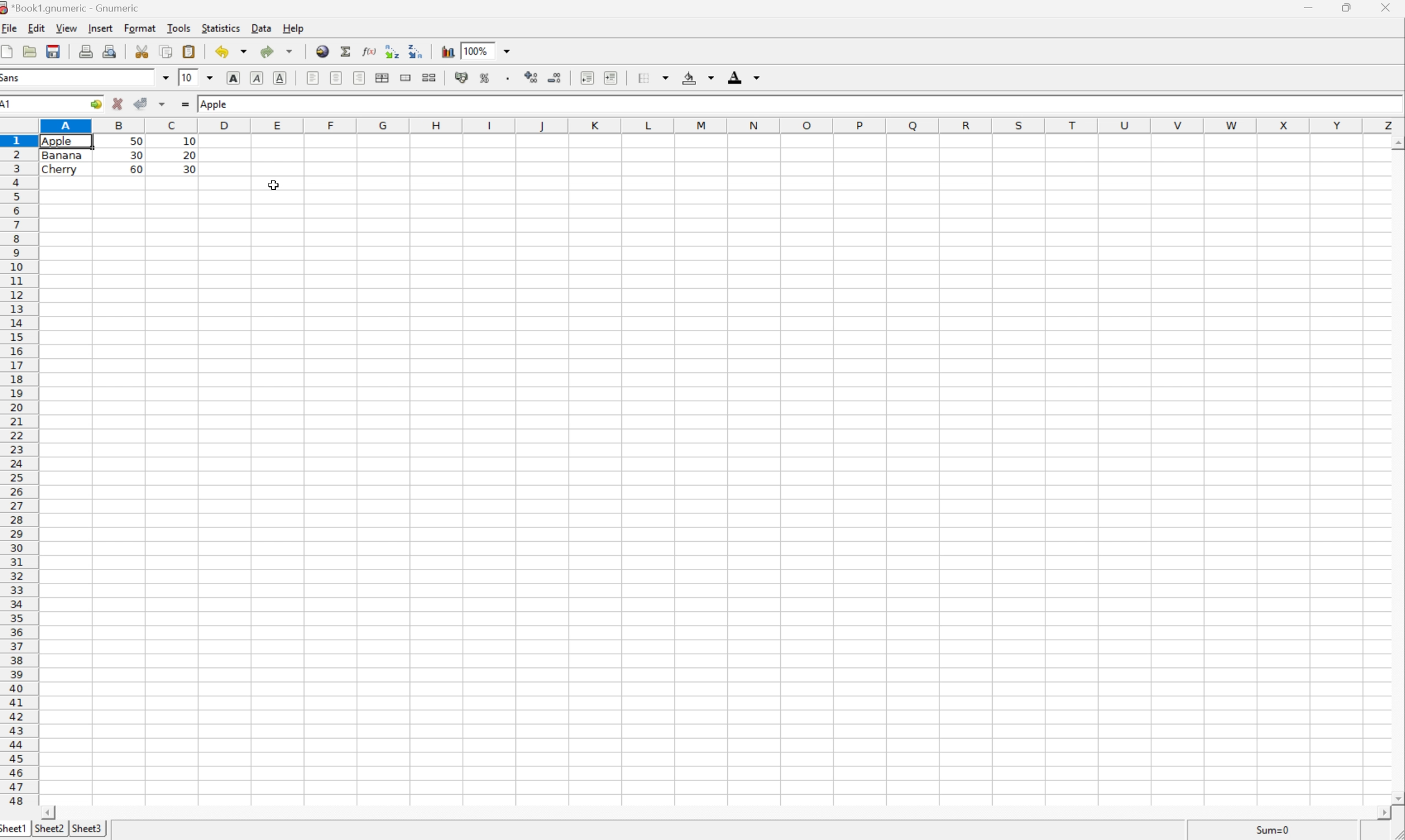  I want to click on save in current workbook, so click(54, 50).